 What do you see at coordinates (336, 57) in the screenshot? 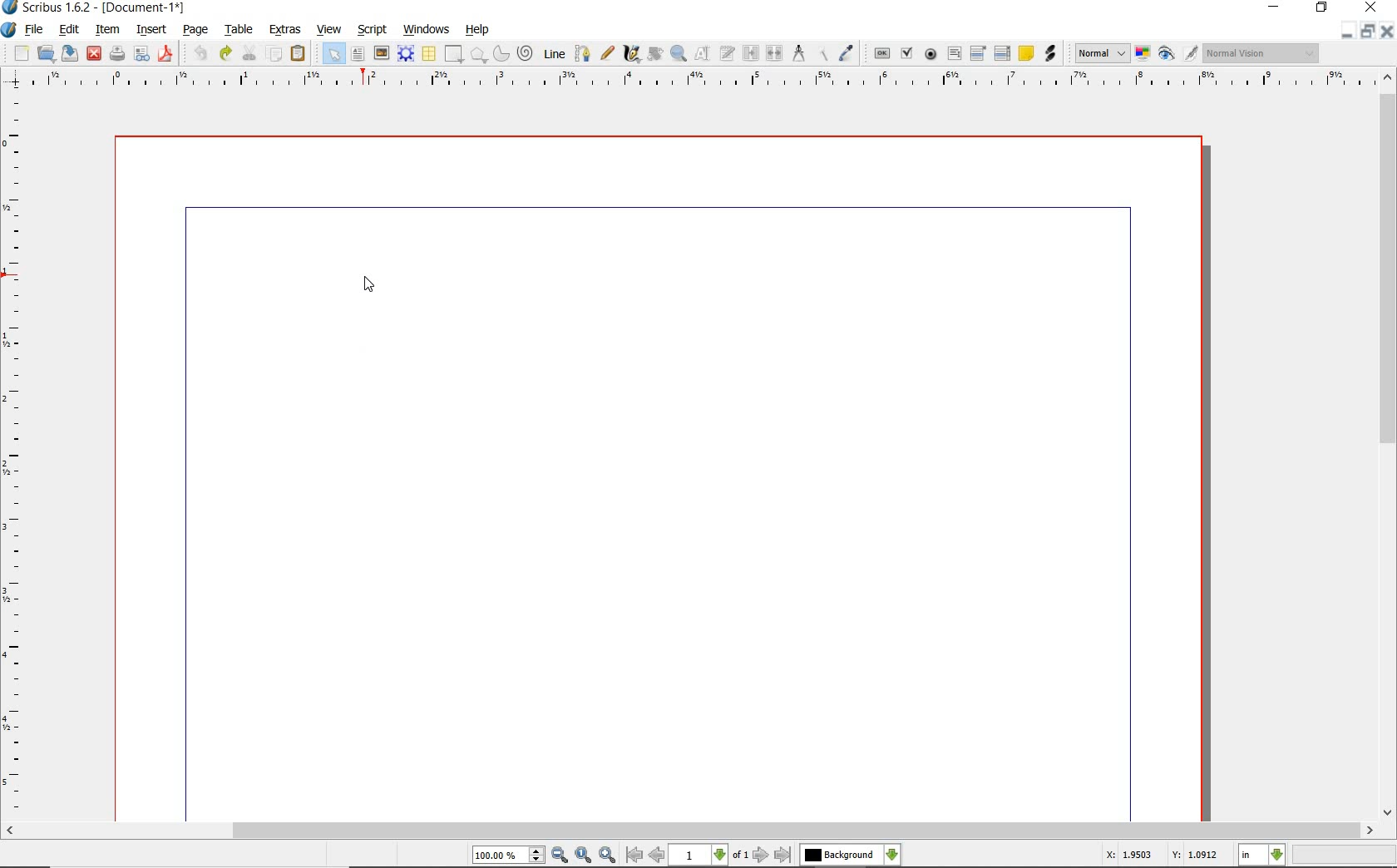
I see `select` at bounding box center [336, 57].